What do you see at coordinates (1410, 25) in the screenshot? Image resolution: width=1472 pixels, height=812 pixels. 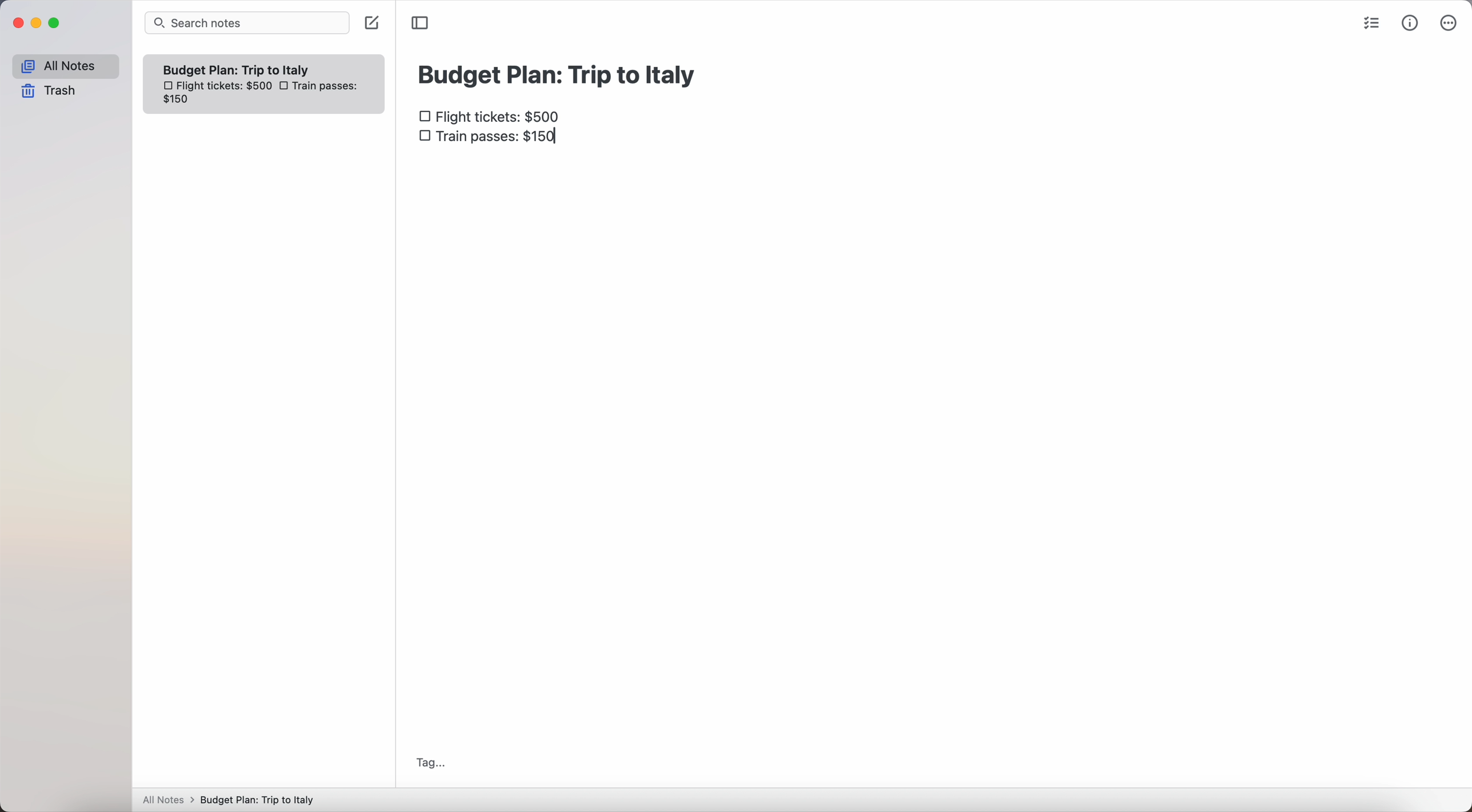 I see `metrics` at bounding box center [1410, 25].